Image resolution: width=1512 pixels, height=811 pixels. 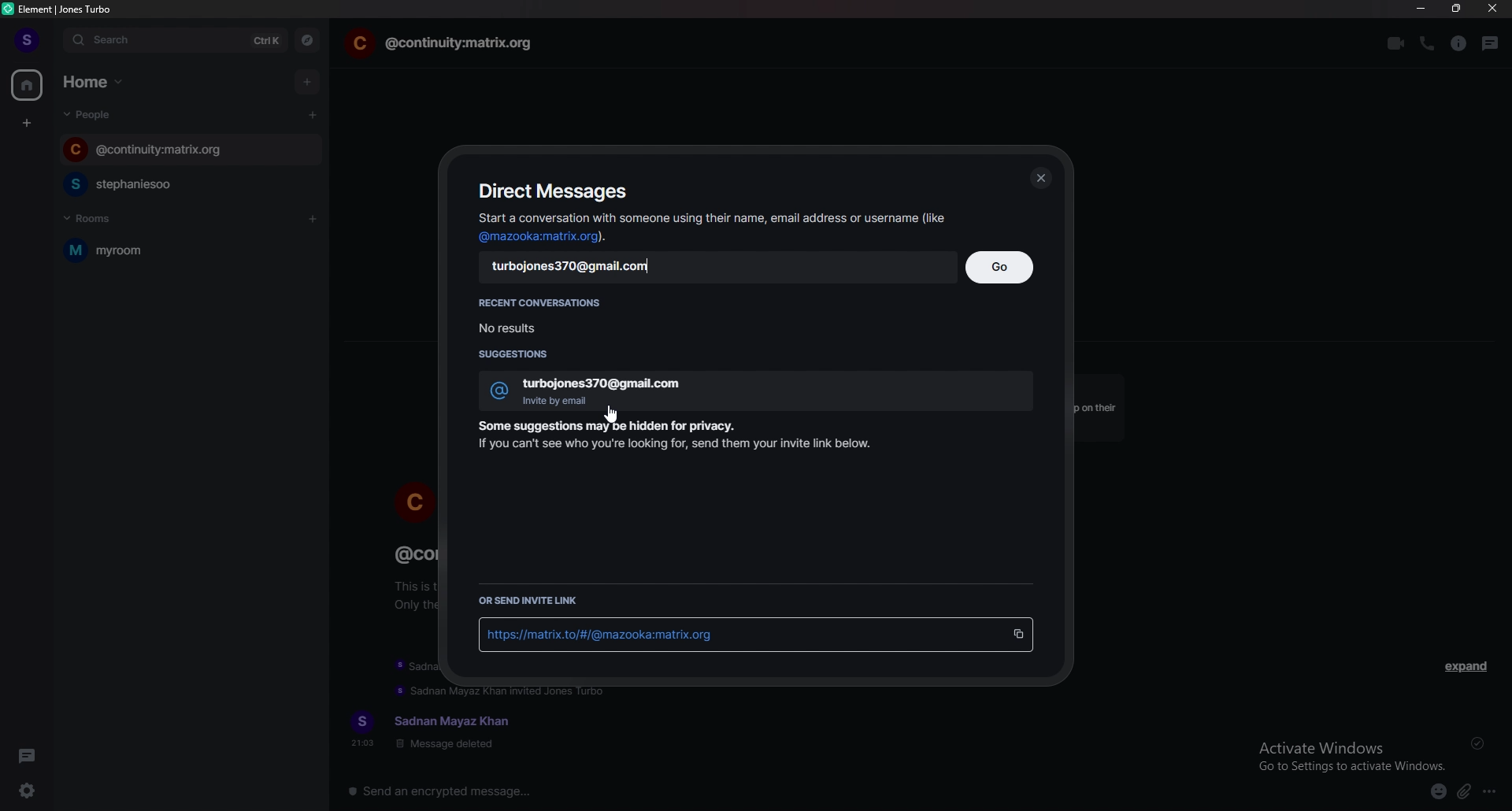 I want to click on home, so click(x=28, y=84).